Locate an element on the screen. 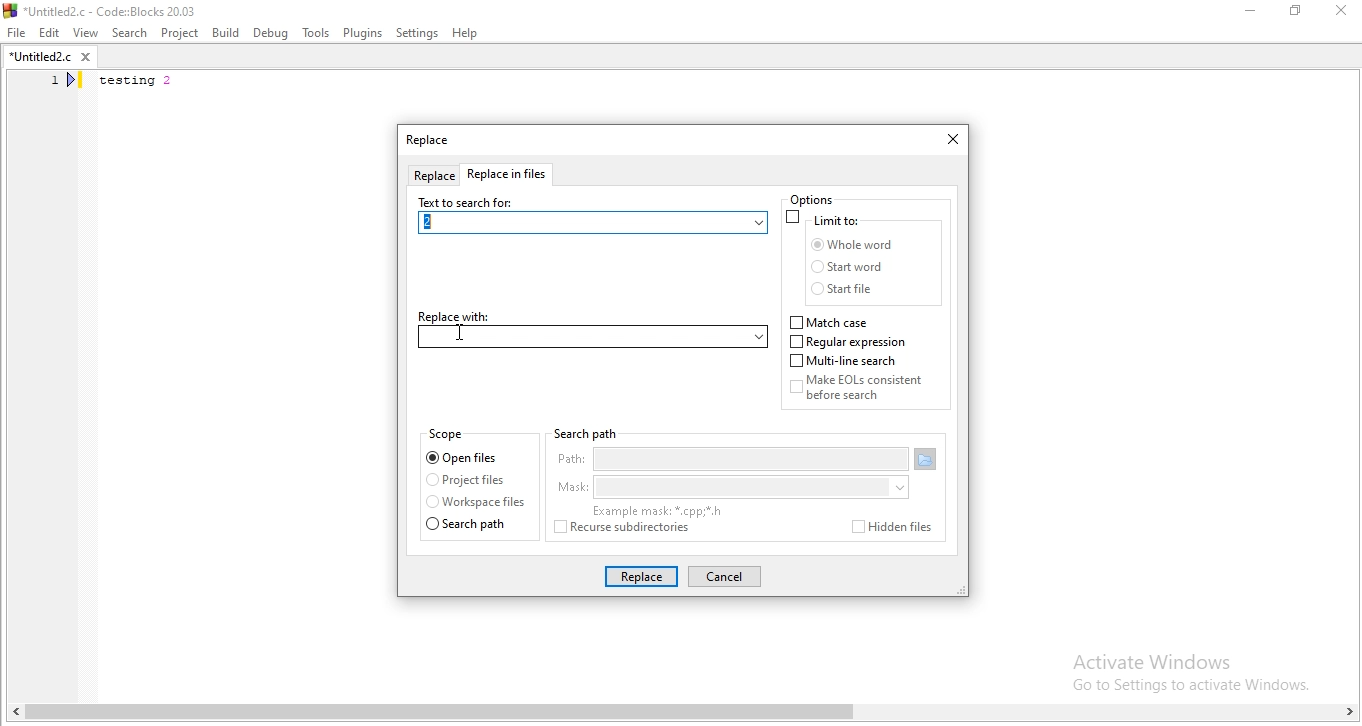  View  is located at coordinates (85, 32).